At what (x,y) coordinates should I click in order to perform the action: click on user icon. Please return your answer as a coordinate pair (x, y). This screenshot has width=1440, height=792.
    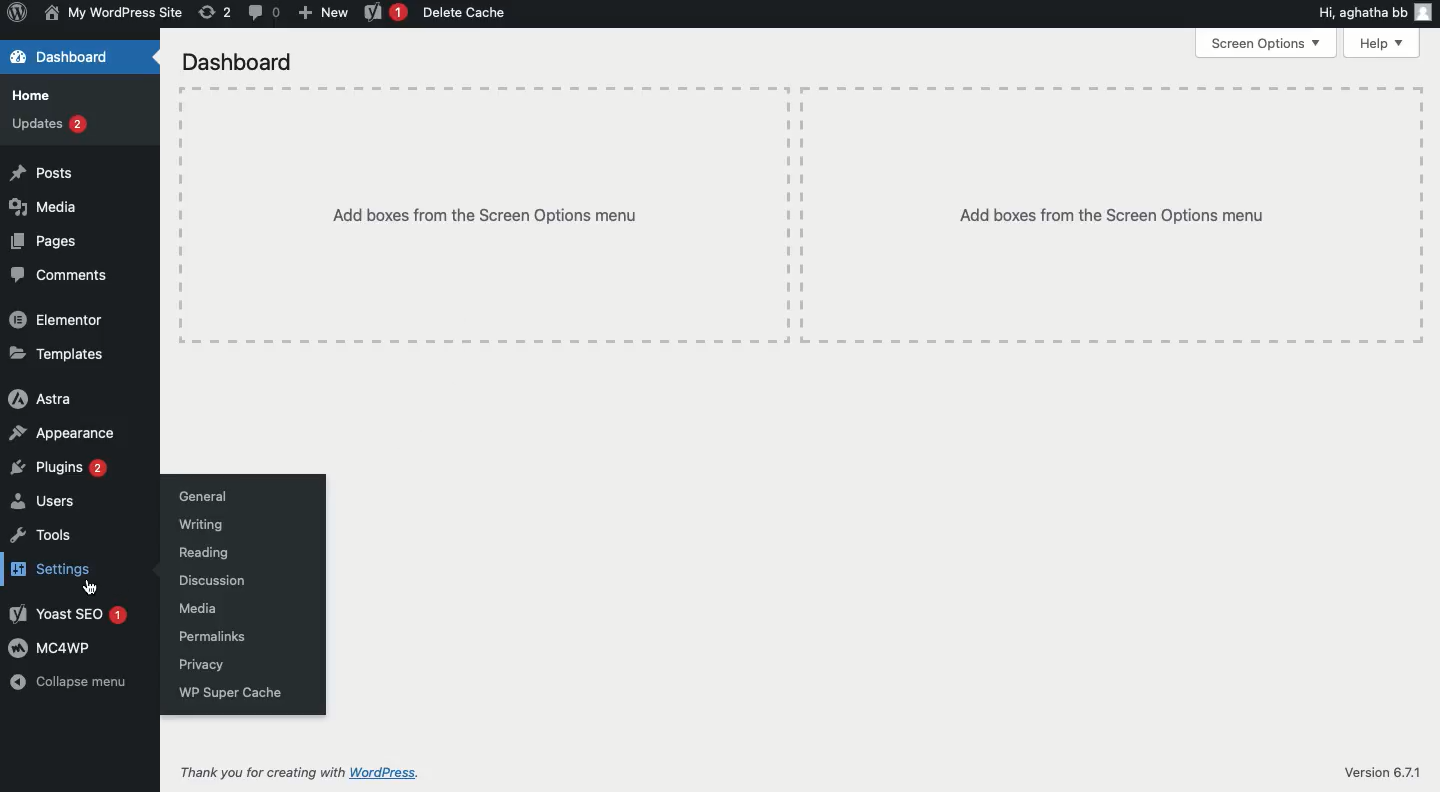
    Looking at the image, I should click on (1423, 12).